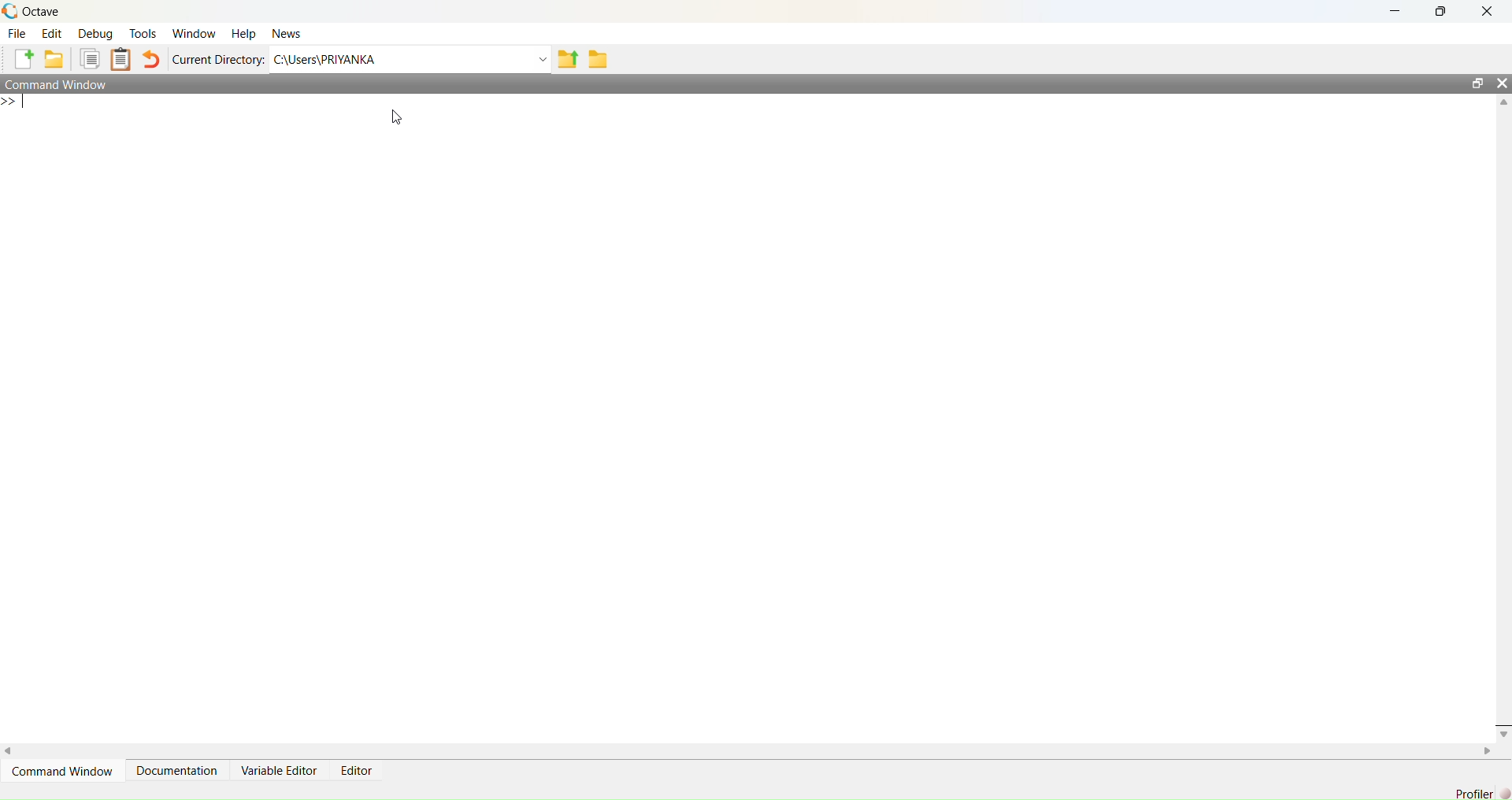  I want to click on Down, so click(1503, 734).